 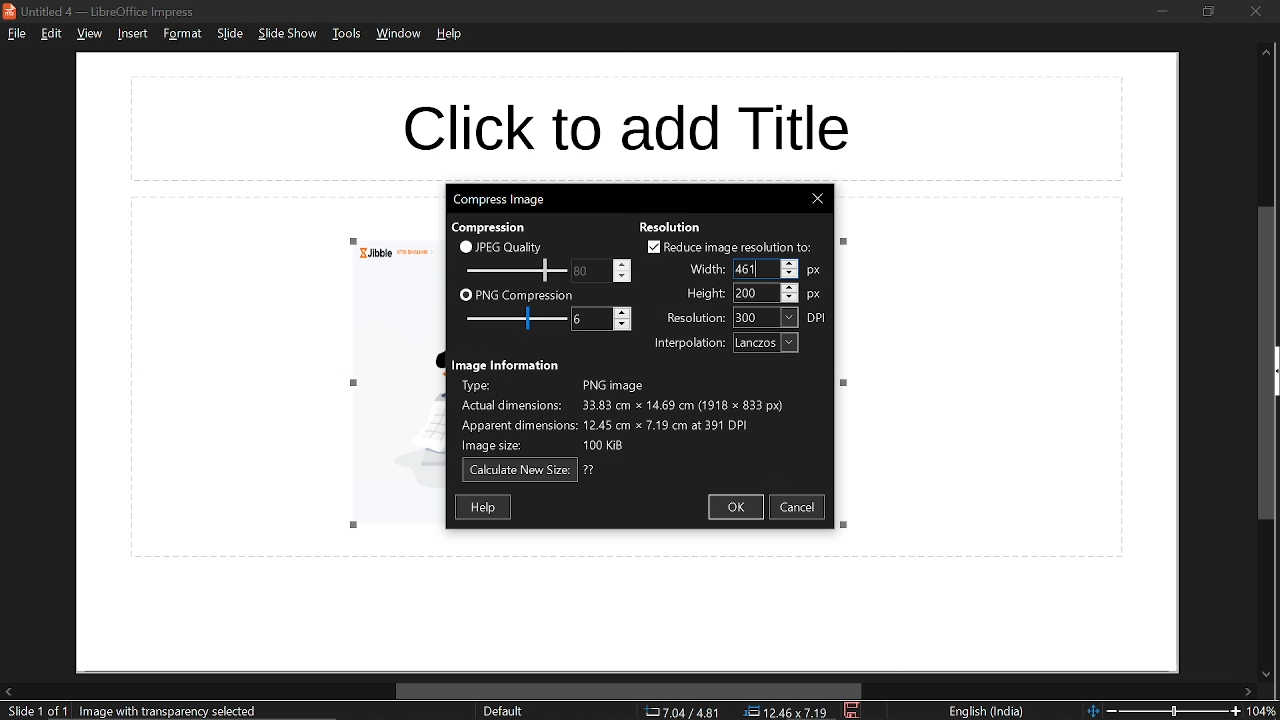 I want to click on help, so click(x=484, y=507).